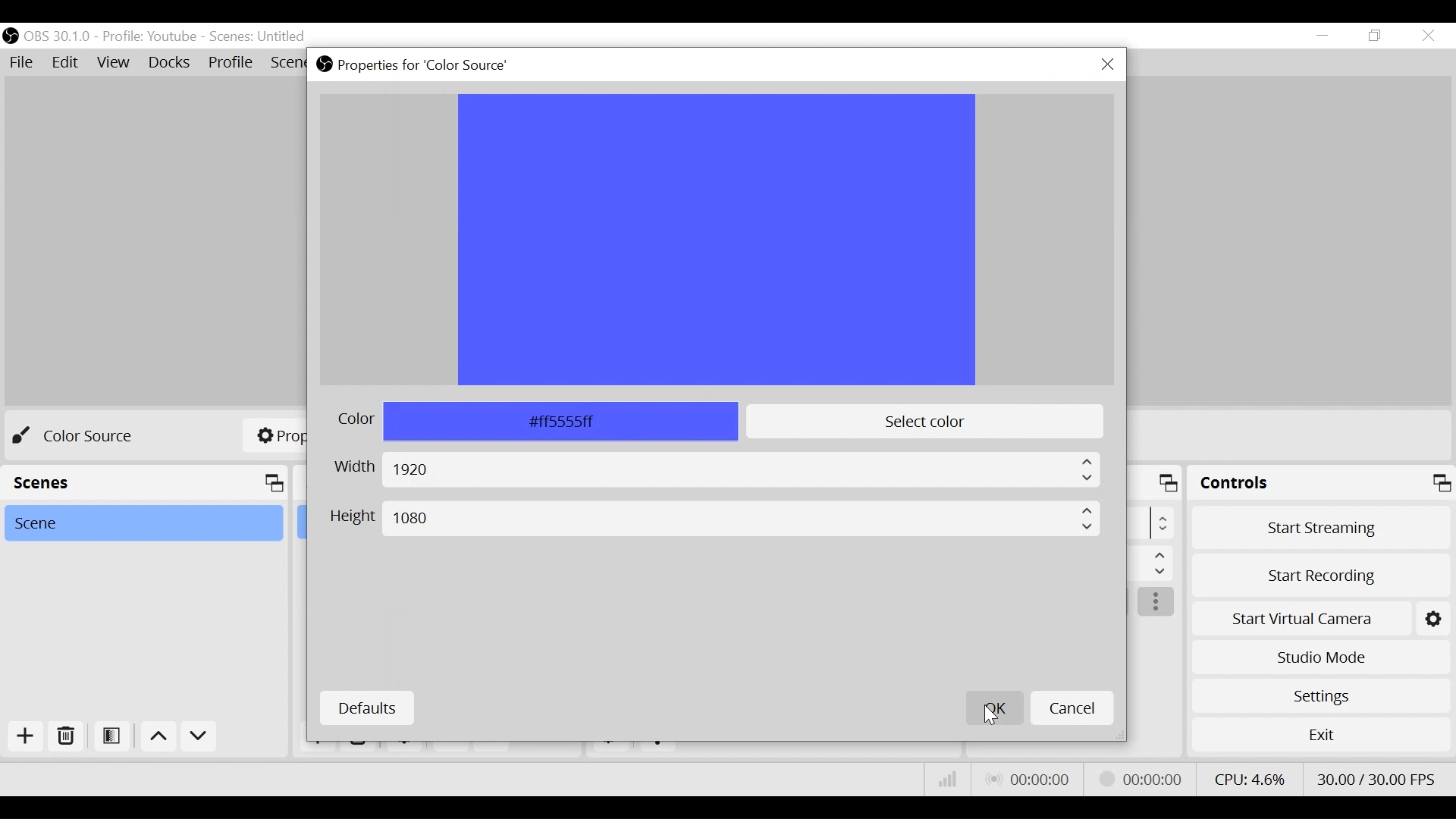 Image resolution: width=1456 pixels, height=819 pixels. What do you see at coordinates (1030, 777) in the screenshot?
I see `Live Status` at bounding box center [1030, 777].